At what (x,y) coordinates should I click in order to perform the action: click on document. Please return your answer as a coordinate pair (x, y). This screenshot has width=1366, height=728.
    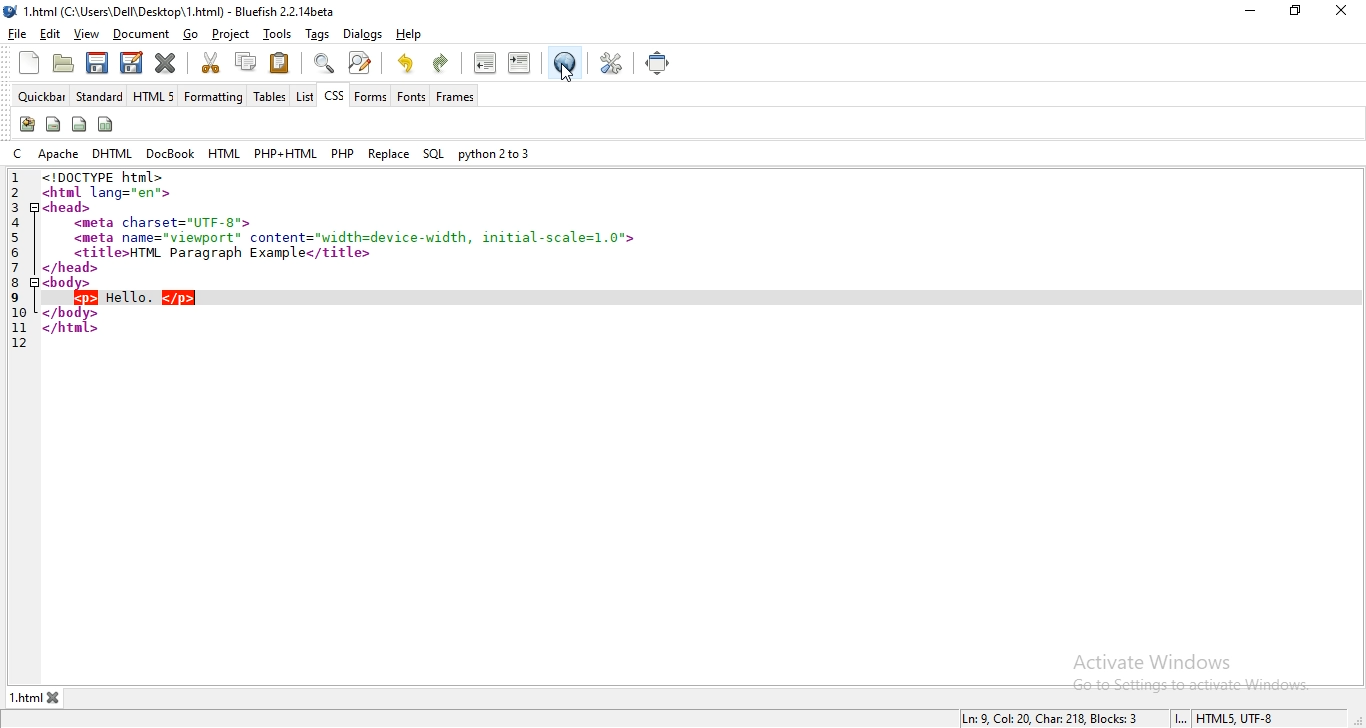
    Looking at the image, I should click on (139, 34).